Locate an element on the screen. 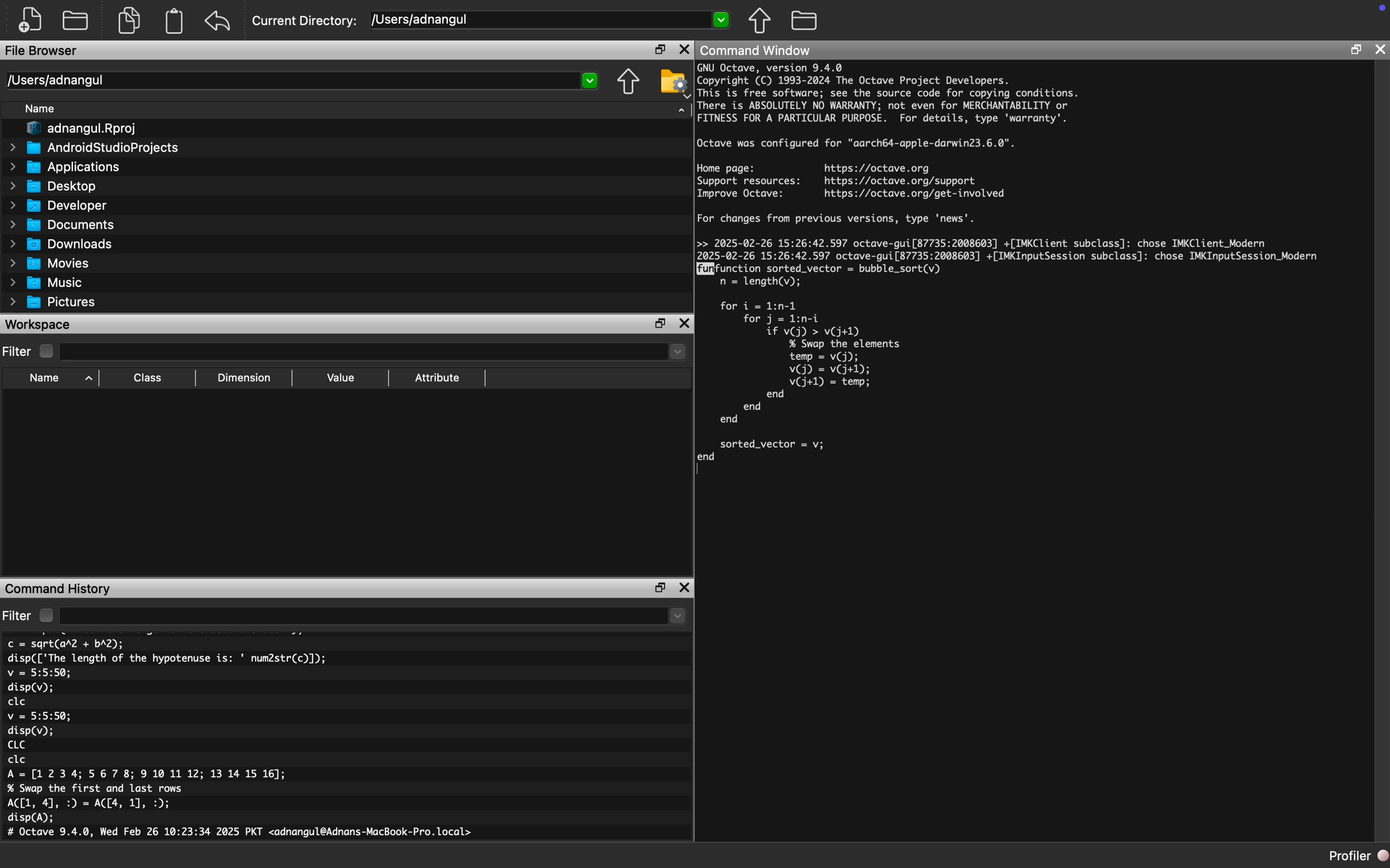  Close is located at coordinates (684, 325).